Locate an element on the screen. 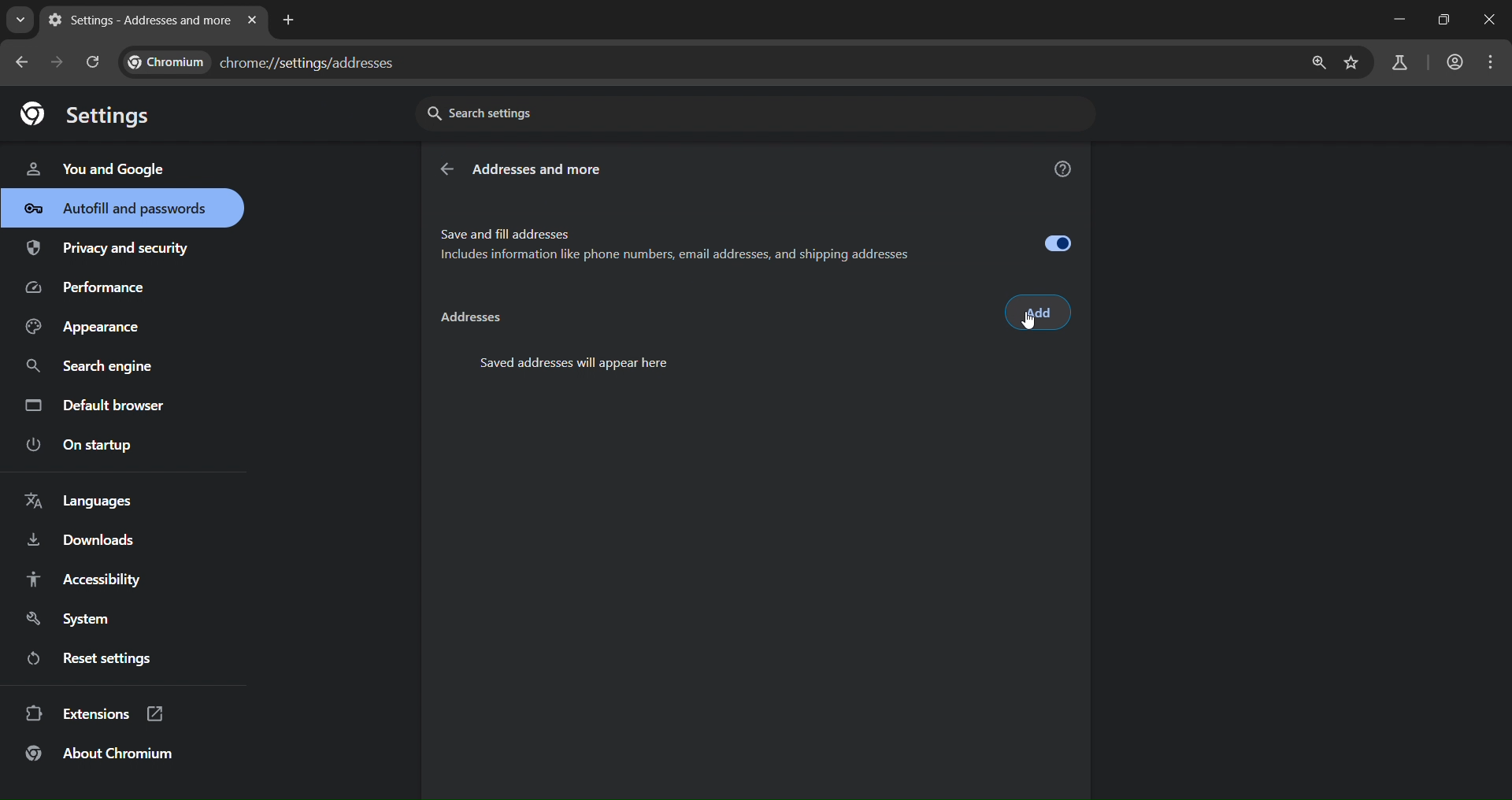 Image resolution: width=1512 pixels, height=800 pixels. cursor is located at coordinates (1029, 324).